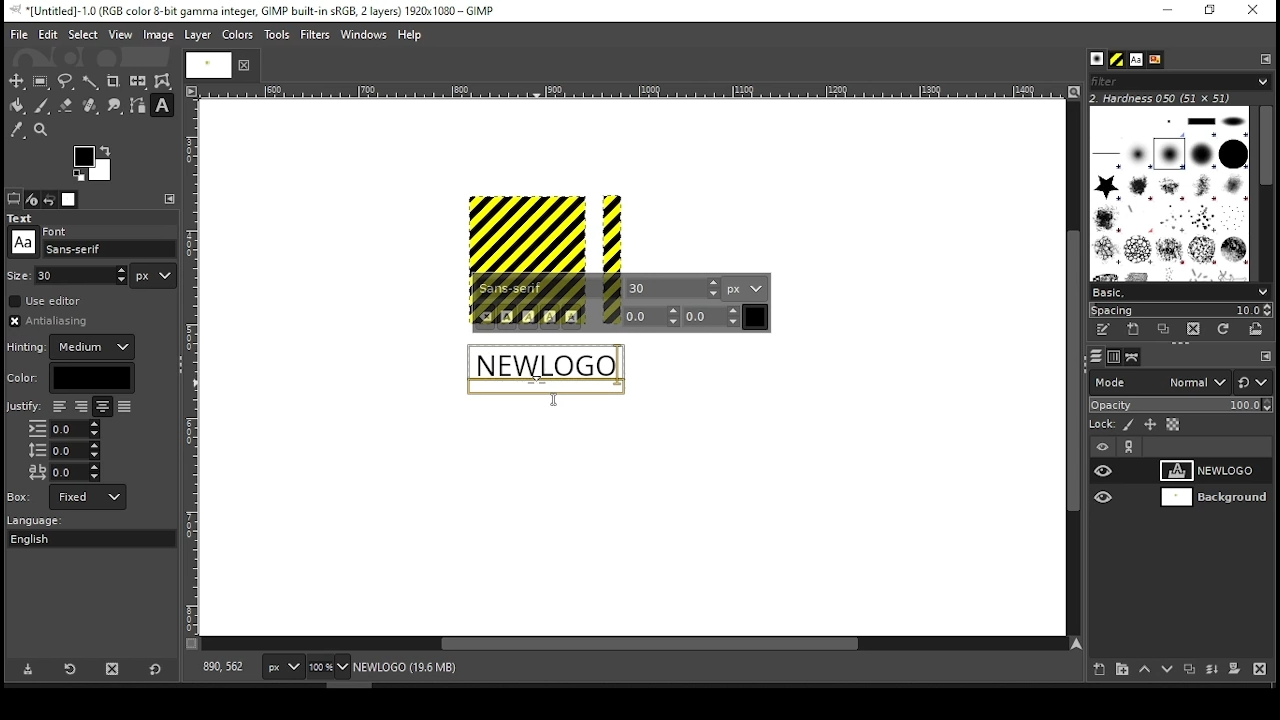  Describe the element at coordinates (486, 318) in the screenshot. I see `clear style of selected text` at that location.